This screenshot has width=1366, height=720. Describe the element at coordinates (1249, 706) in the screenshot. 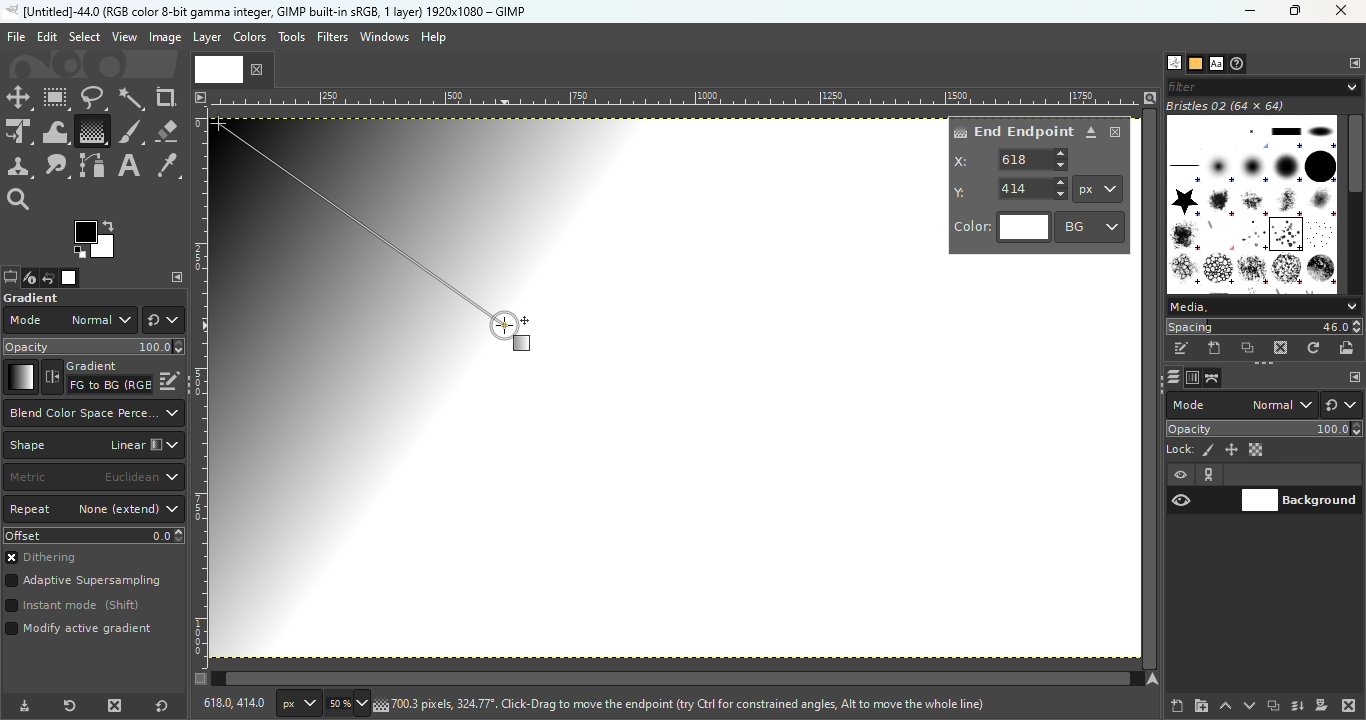

I see `Lower this layer one step in the layer stack` at that location.